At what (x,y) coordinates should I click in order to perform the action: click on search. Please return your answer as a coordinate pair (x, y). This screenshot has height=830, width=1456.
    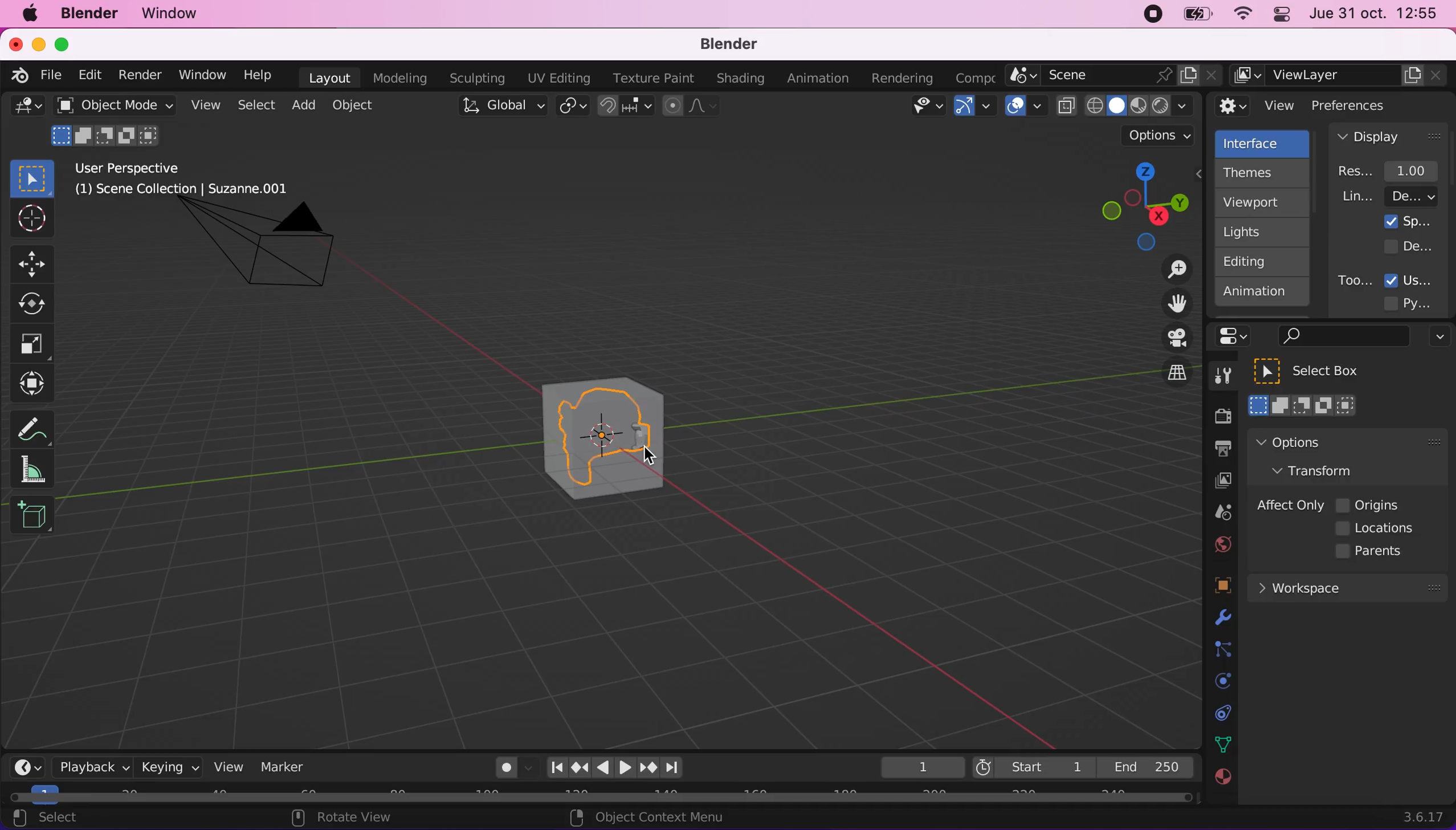
    Looking at the image, I should click on (1341, 337).